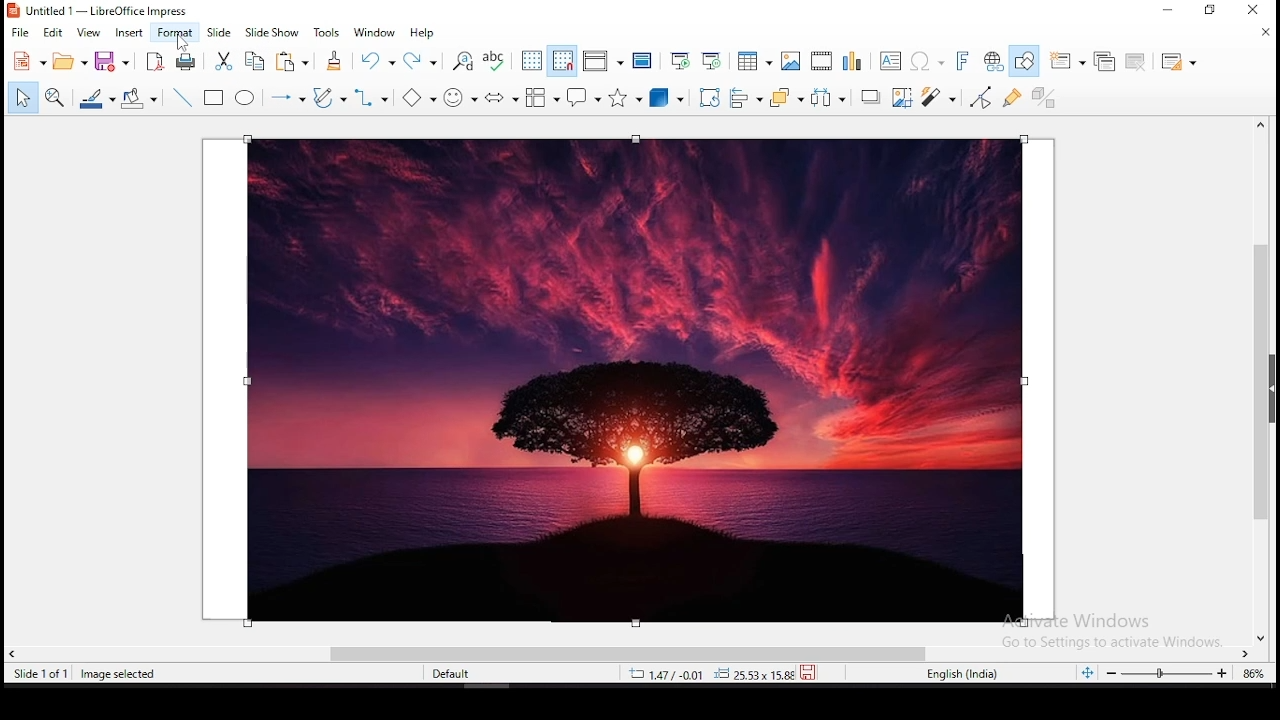 This screenshot has width=1280, height=720. What do you see at coordinates (289, 61) in the screenshot?
I see `copy` at bounding box center [289, 61].